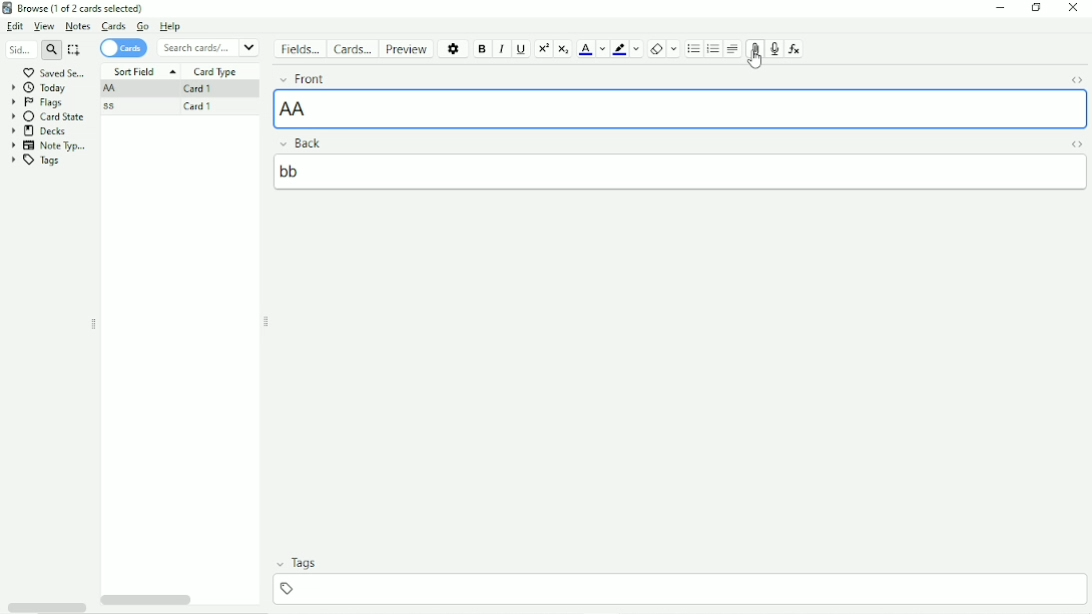 The width and height of the screenshot is (1092, 614). What do you see at coordinates (148, 600) in the screenshot?
I see `Horizontal scrollbar` at bounding box center [148, 600].